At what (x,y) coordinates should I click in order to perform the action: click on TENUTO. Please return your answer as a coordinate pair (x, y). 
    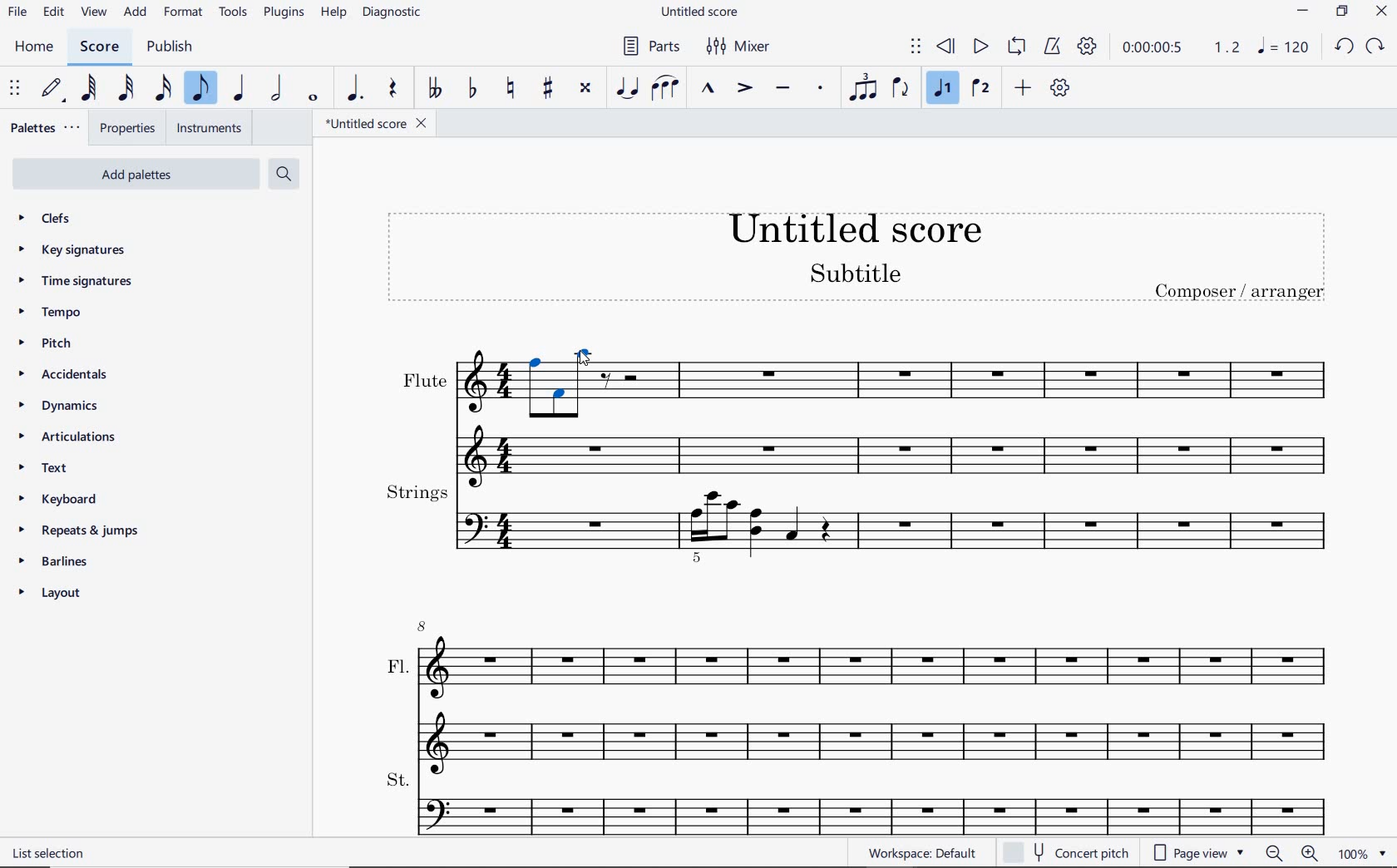
    Looking at the image, I should click on (783, 89).